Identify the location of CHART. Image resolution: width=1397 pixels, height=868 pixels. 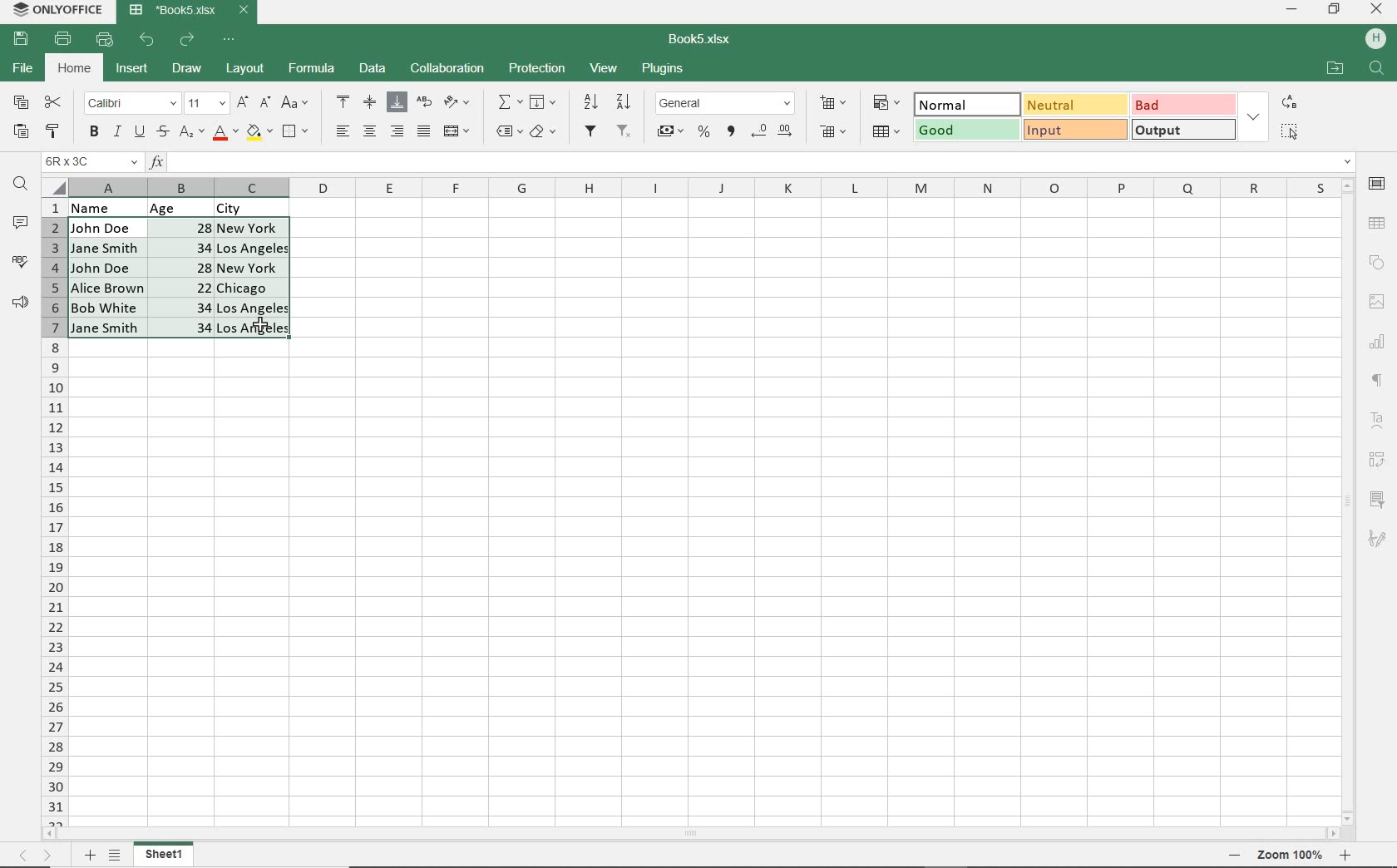
(1378, 341).